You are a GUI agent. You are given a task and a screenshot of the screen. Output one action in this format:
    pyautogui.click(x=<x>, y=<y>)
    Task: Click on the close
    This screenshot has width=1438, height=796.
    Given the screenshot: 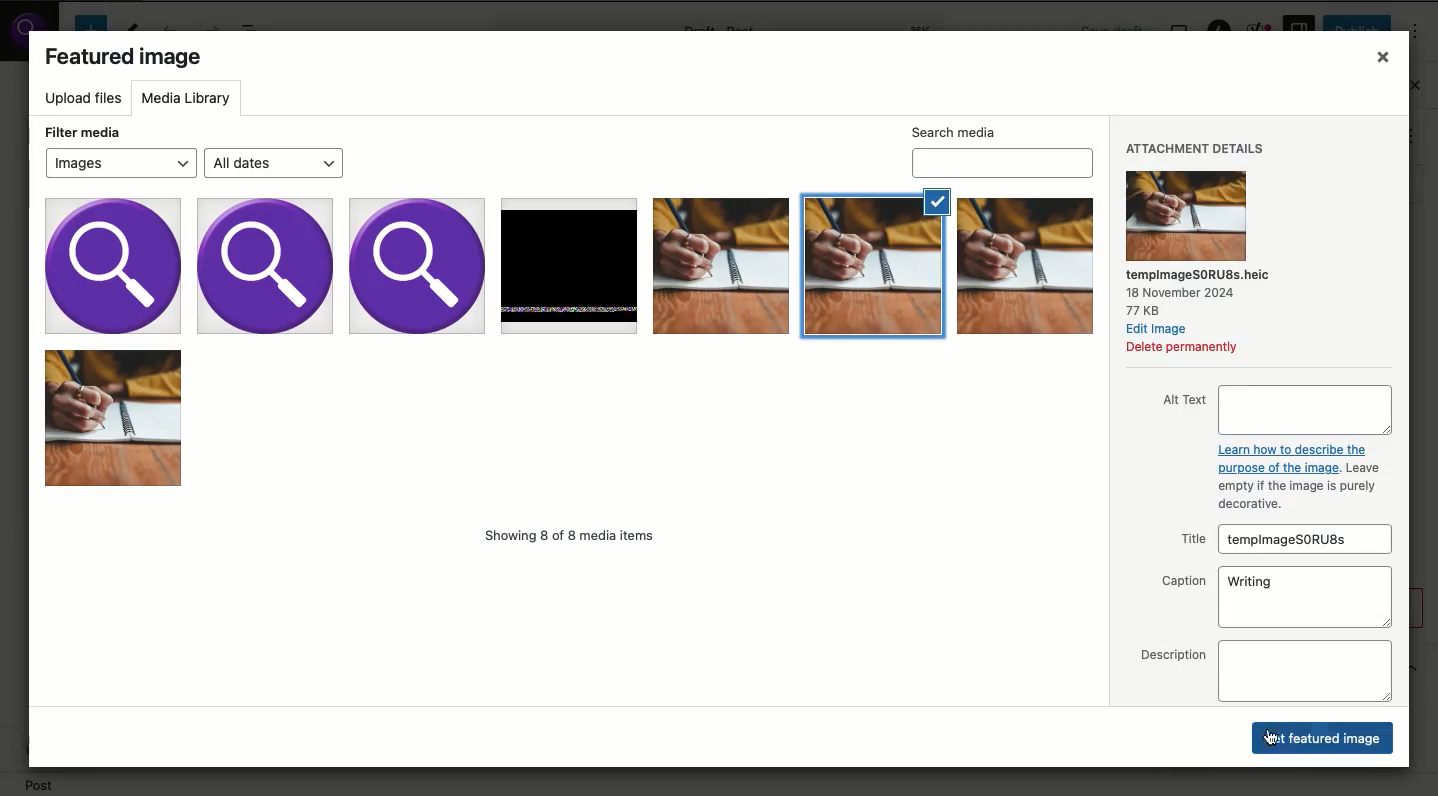 What is the action you would take?
    pyautogui.click(x=1385, y=57)
    